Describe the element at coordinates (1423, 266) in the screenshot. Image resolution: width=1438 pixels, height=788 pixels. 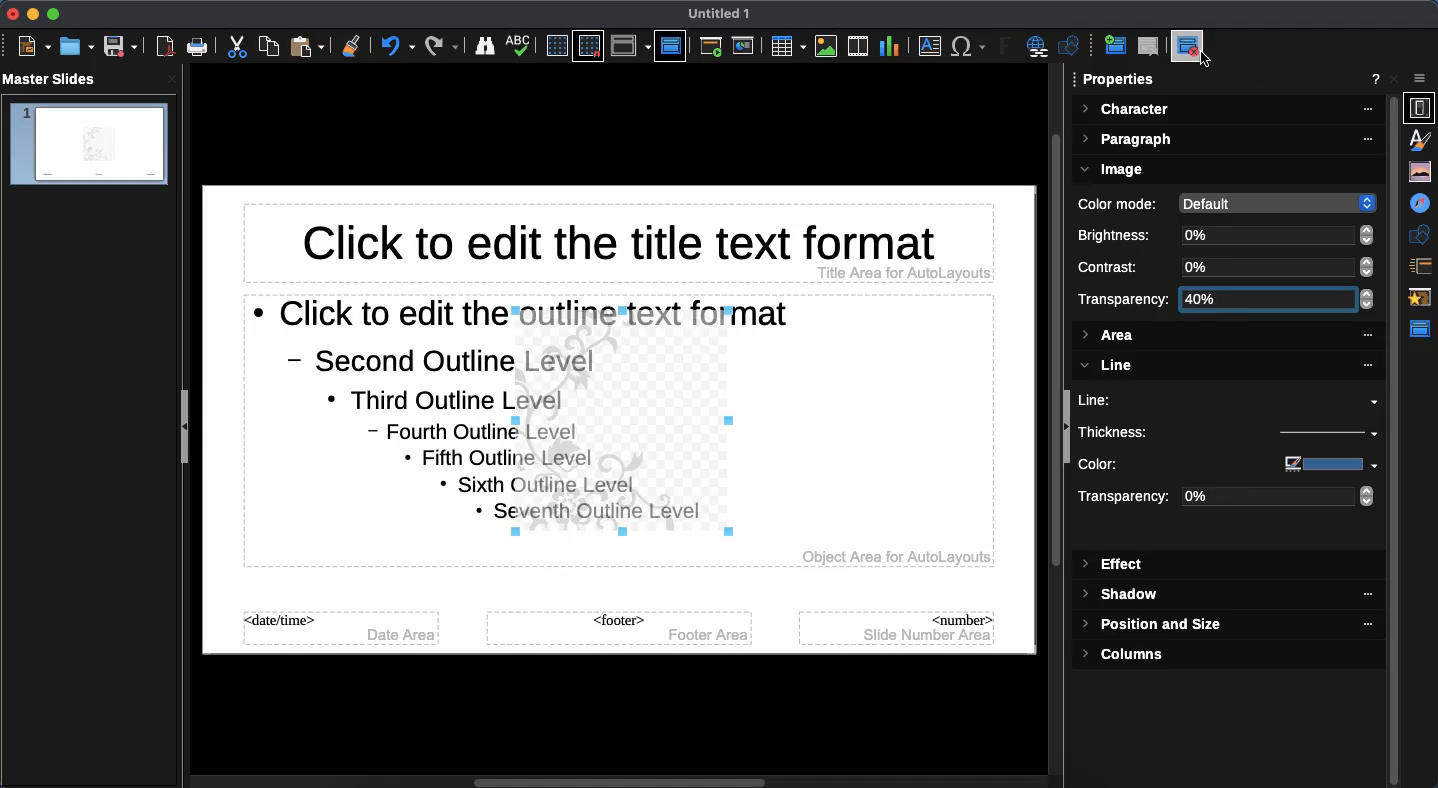
I see `Slide transition` at that location.